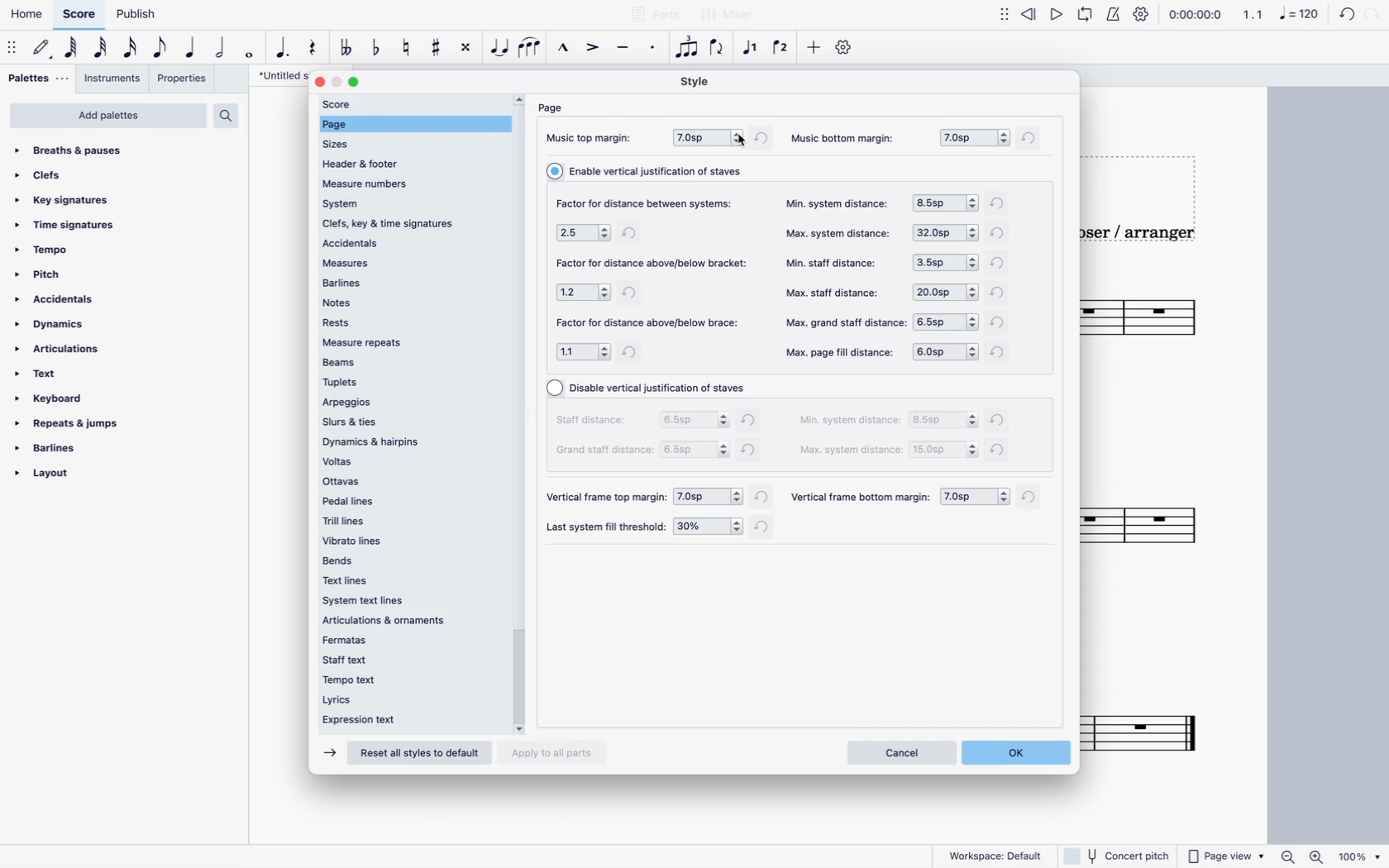 This screenshot has height=868, width=1389. Describe the element at coordinates (654, 262) in the screenshot. I see `factor for distance` at that location.